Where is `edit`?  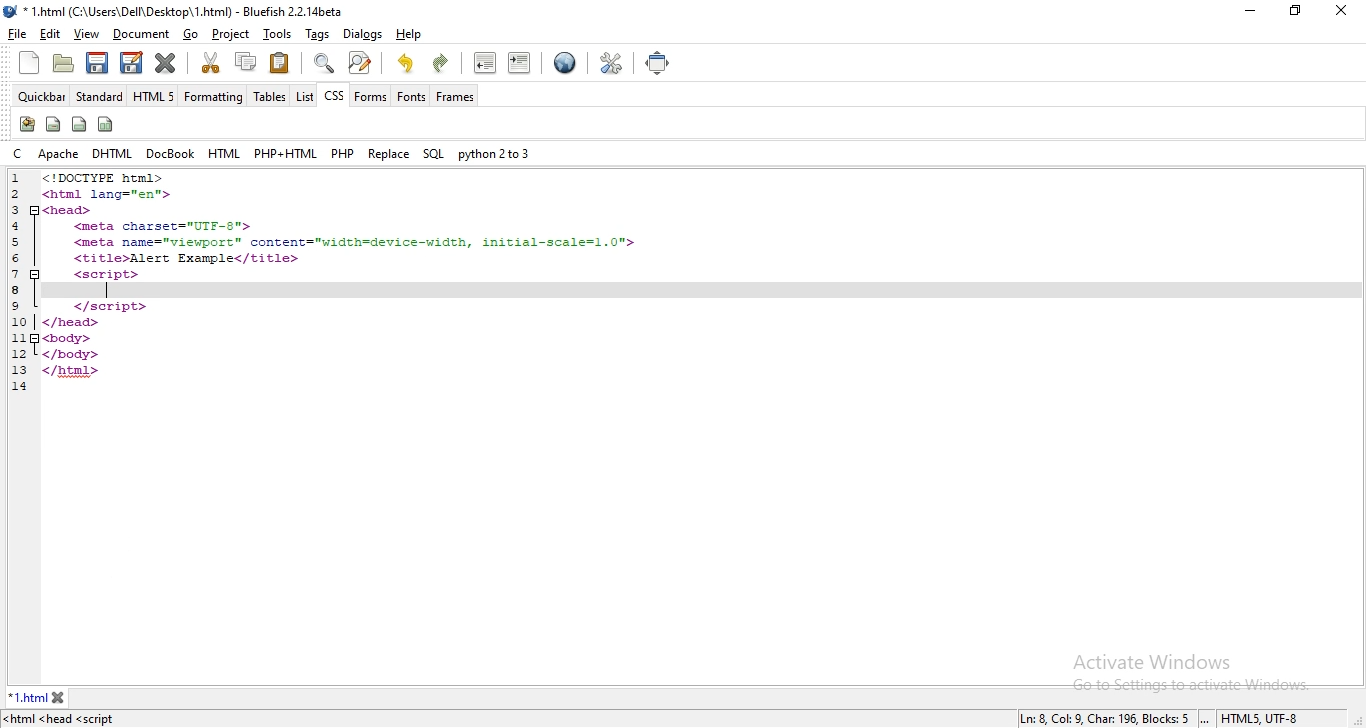 edit is located at coordinates (49, 34).